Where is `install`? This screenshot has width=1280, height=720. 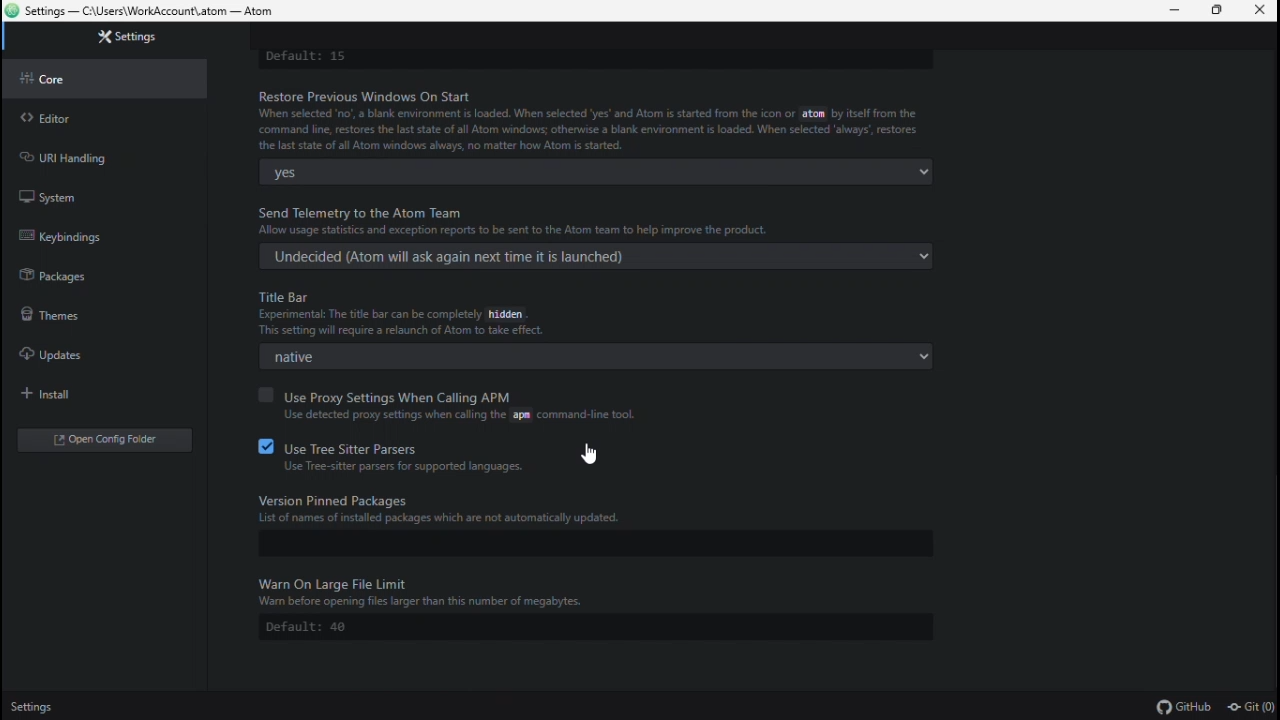
install is located at coordinates (87, 396).